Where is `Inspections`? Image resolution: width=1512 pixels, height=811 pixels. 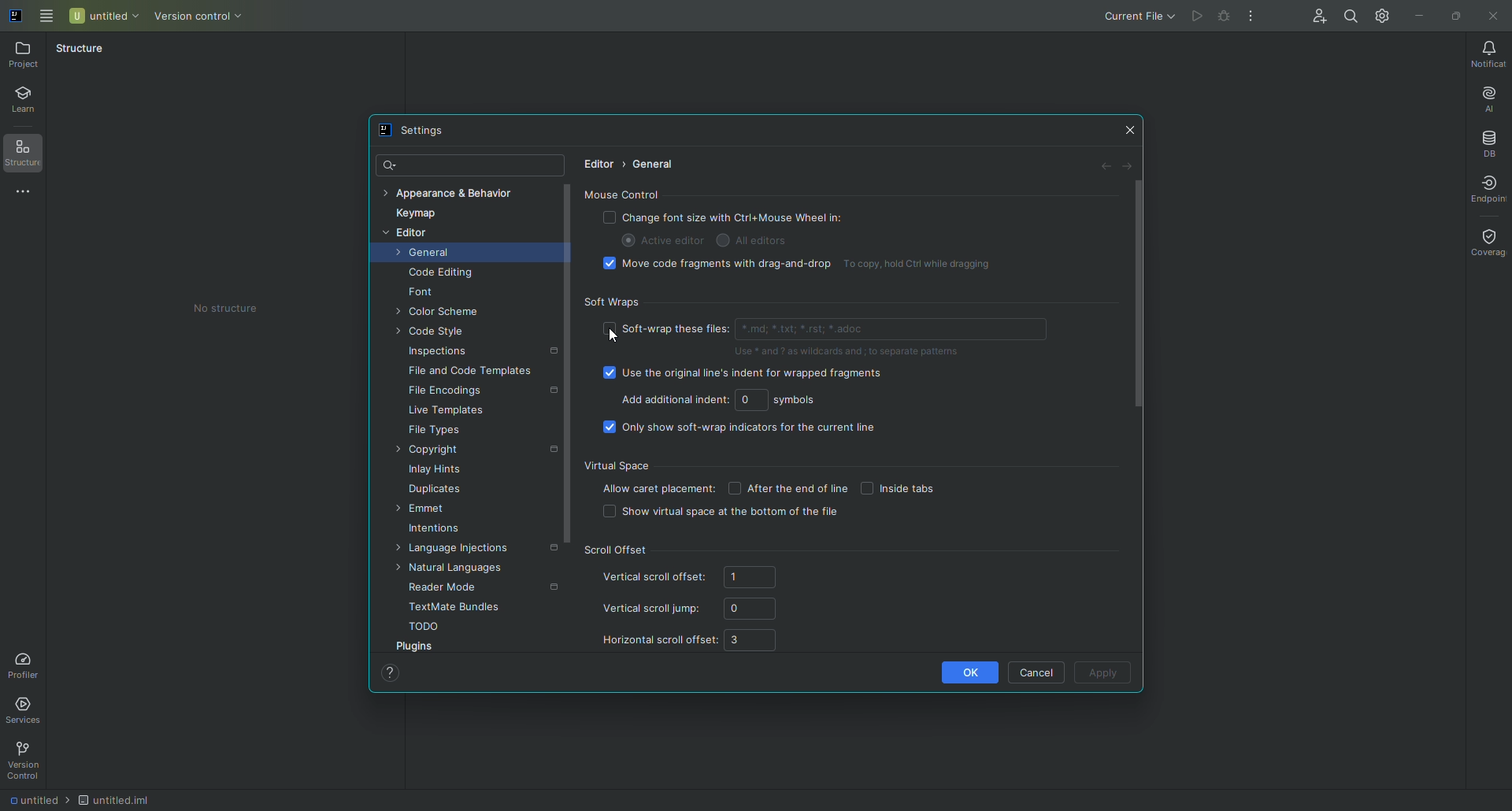 Inspections is located at coordinates (442, 353).